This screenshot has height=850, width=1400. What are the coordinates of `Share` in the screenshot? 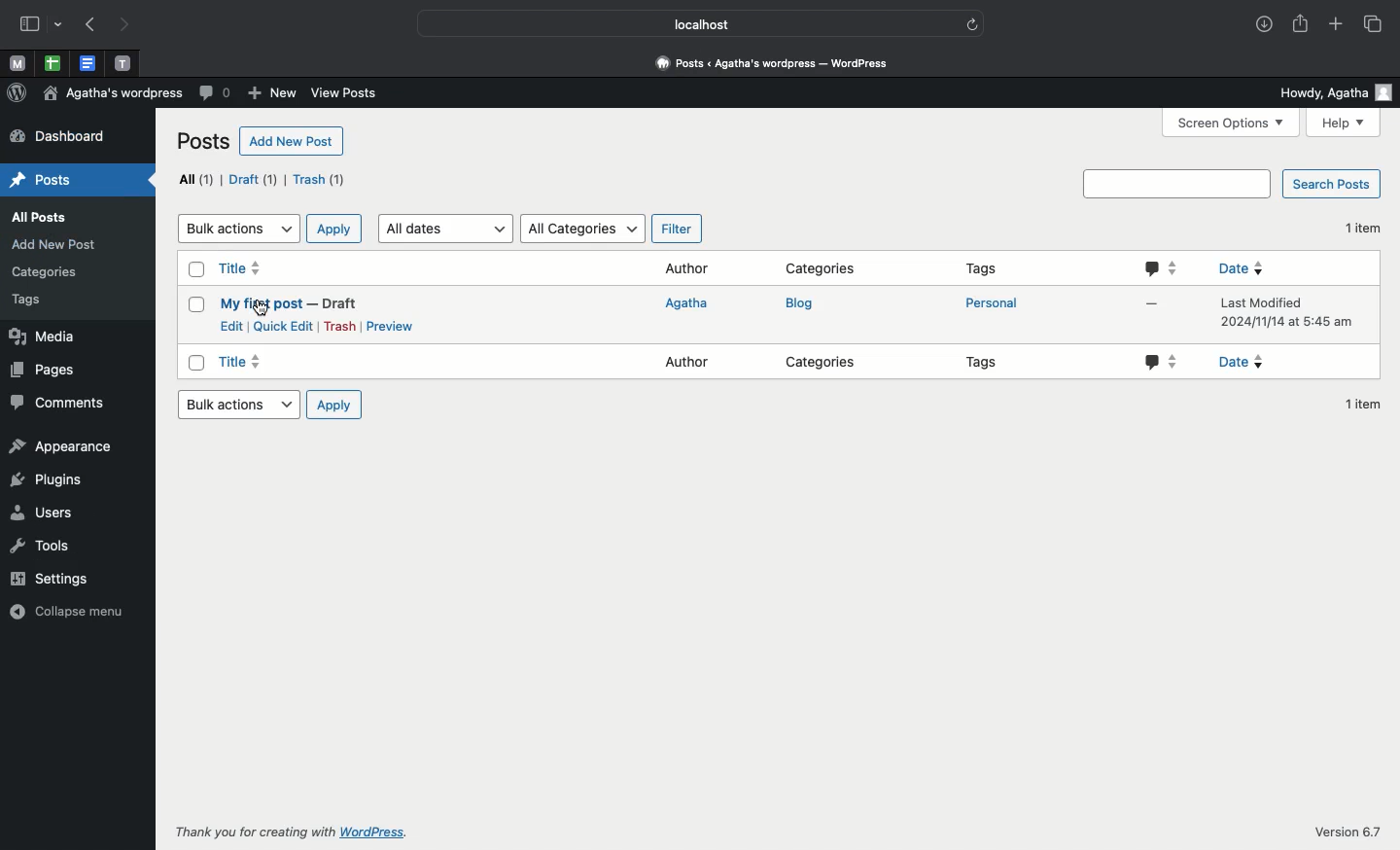 It's located at (1302, 25).